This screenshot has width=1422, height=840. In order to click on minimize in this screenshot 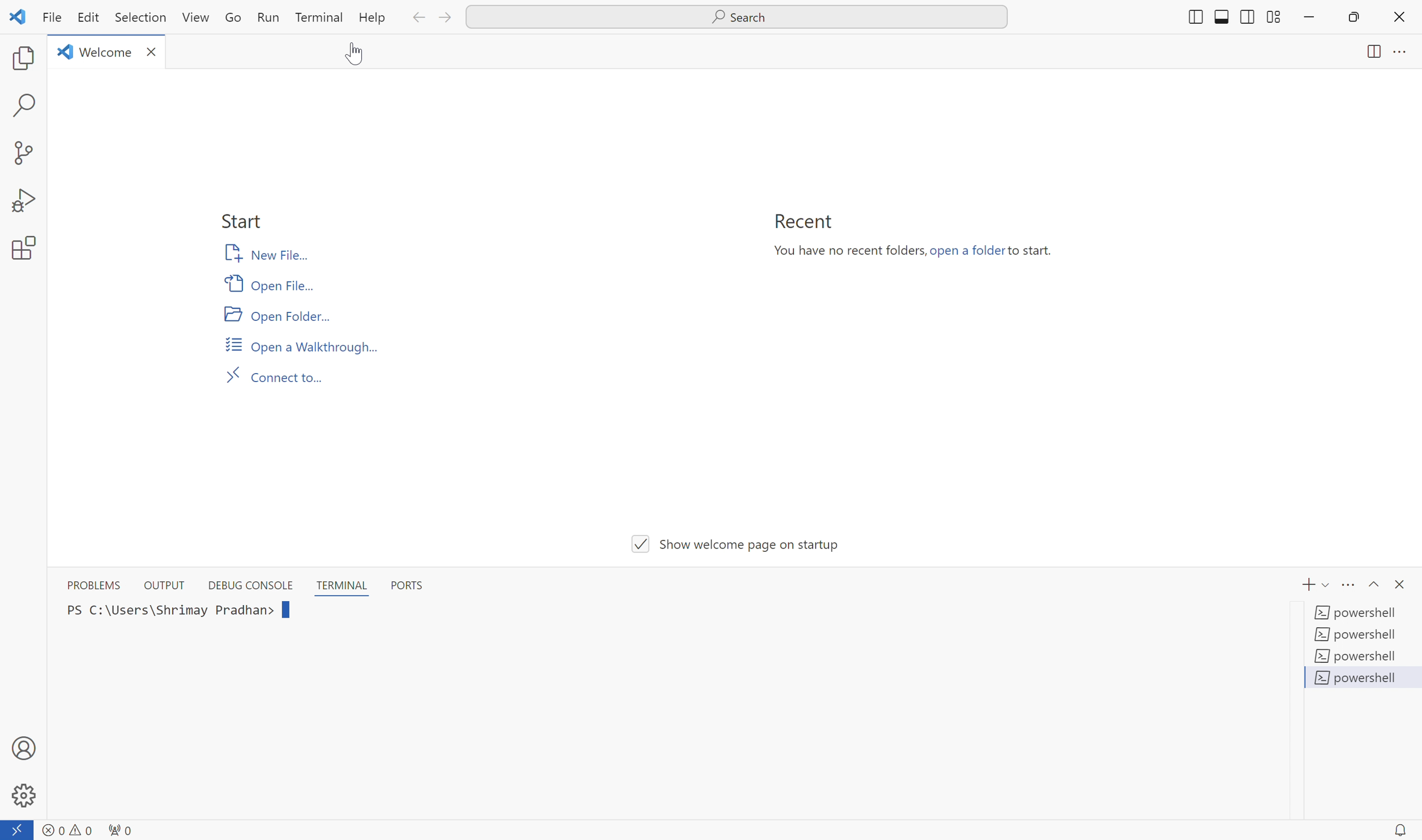, I will do `click(1309, 18)`.